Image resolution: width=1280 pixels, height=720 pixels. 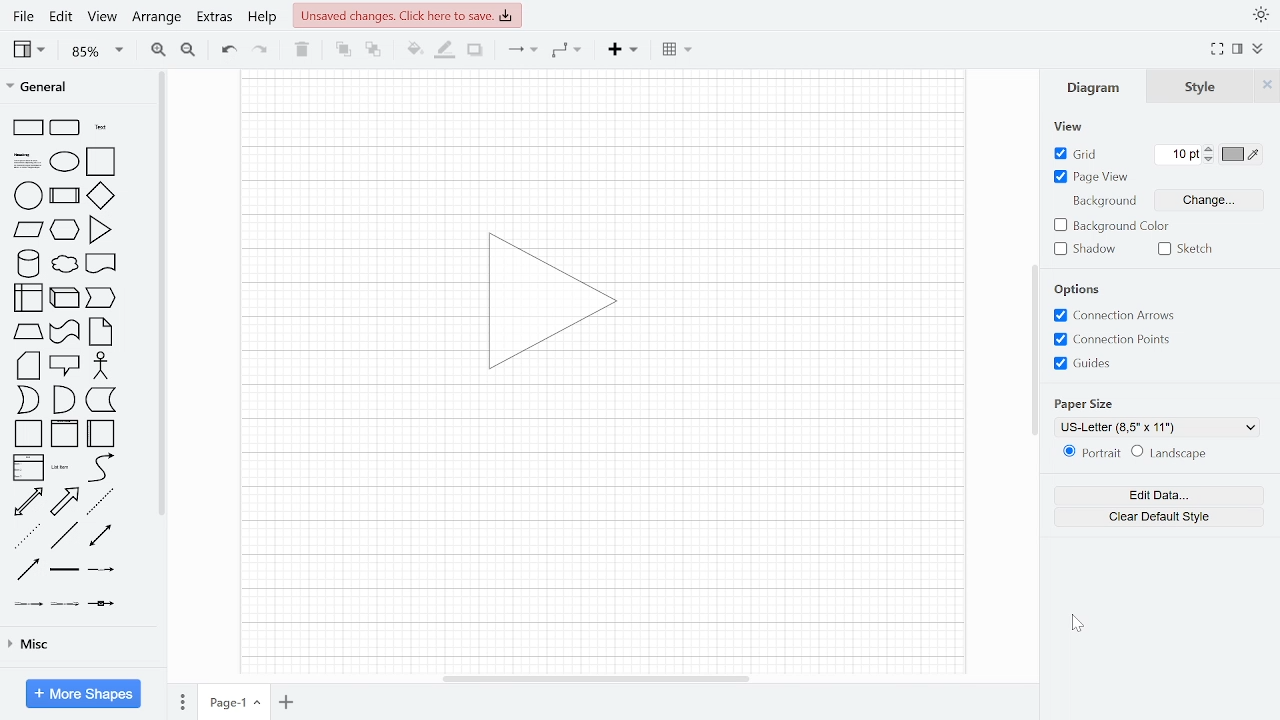 What do you see at coordinates (64, 162) in the screenshot?
I see `Ellipse` at bounding box center [64, 162].